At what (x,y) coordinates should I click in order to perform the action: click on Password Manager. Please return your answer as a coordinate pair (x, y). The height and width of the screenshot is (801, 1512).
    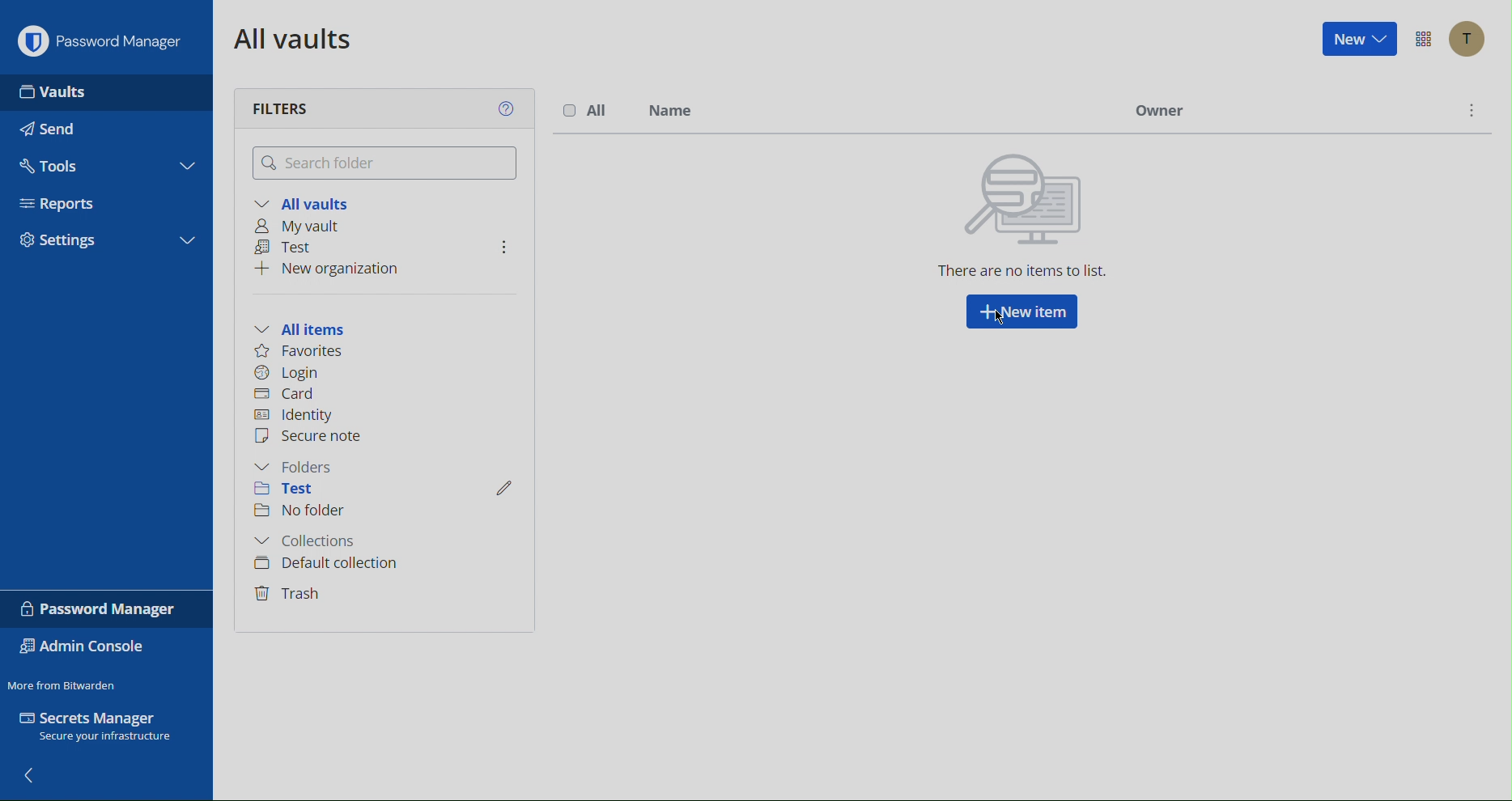
    Looking at the image, I should click on (107, 609).